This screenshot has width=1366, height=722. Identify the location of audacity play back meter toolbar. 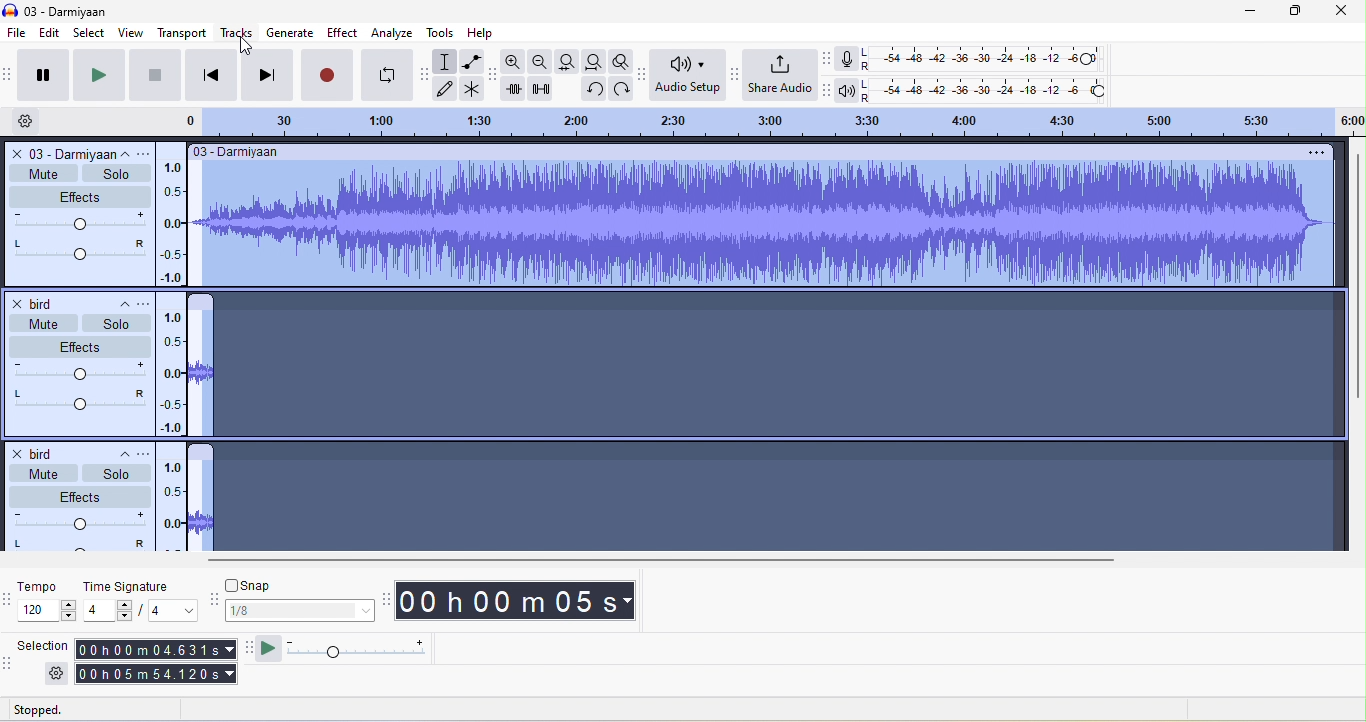
(832, 90).